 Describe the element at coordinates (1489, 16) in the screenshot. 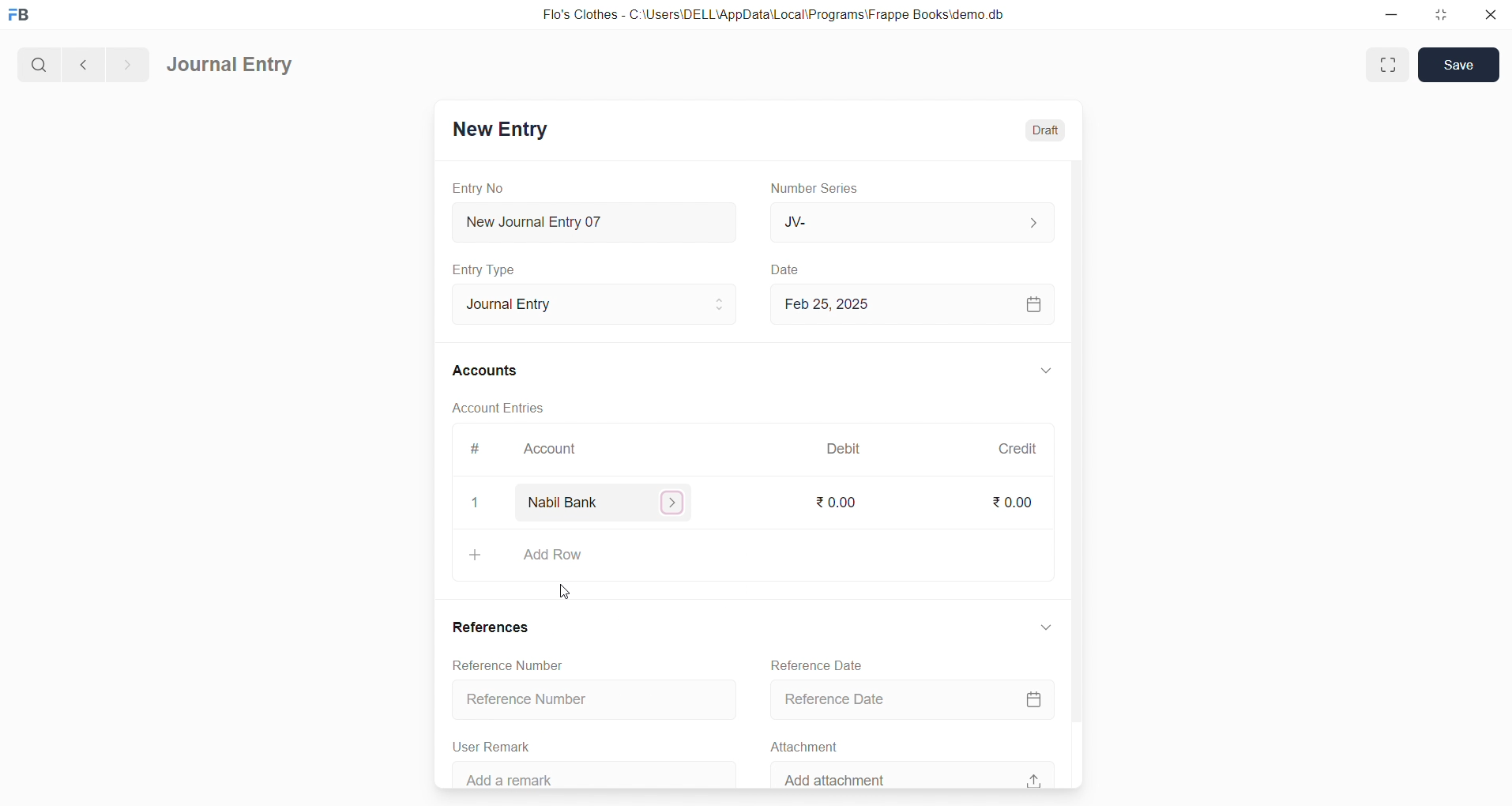

I see `close` at that location.